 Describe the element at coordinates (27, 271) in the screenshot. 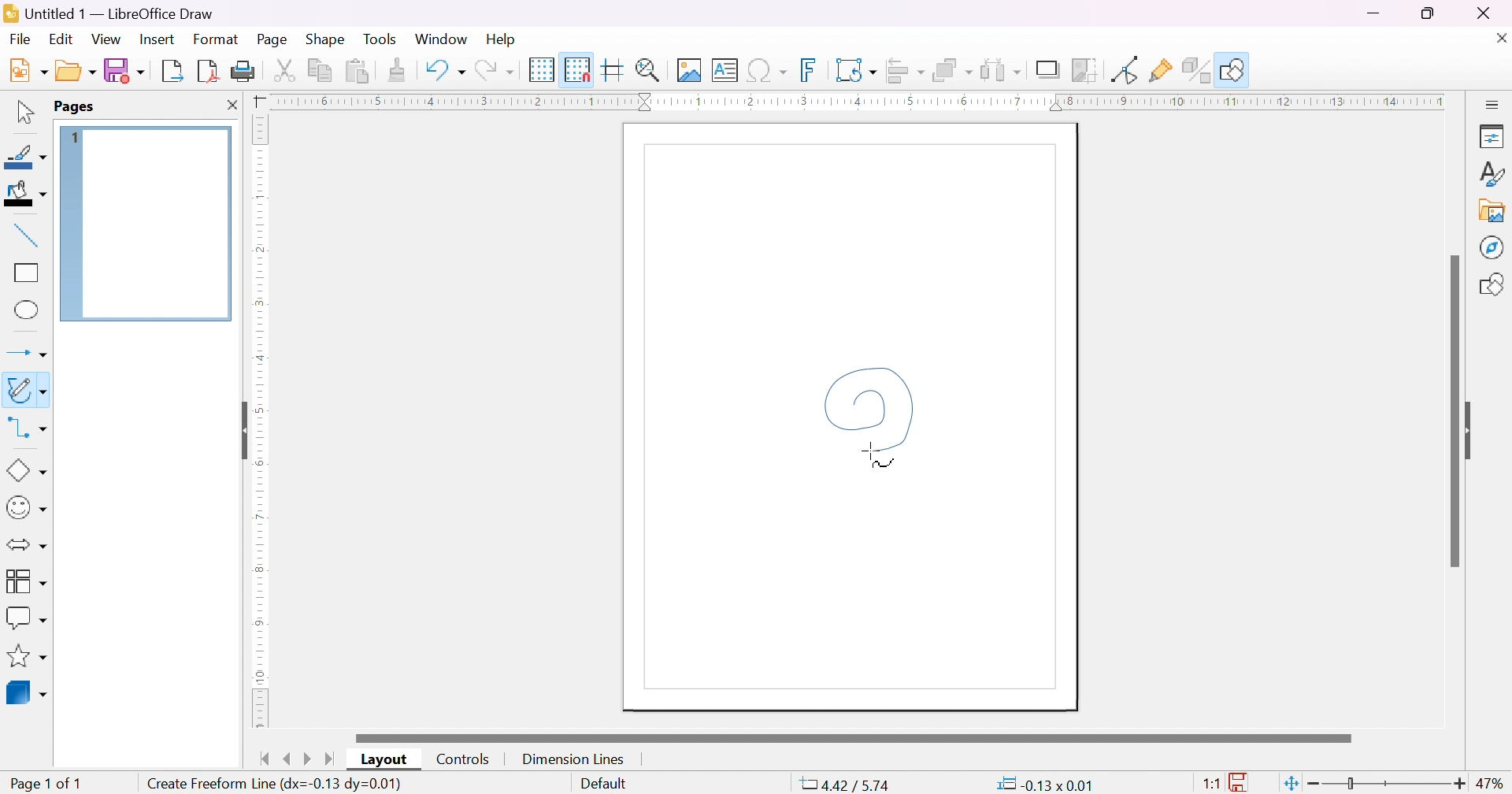

I see `rectangle` at that location.